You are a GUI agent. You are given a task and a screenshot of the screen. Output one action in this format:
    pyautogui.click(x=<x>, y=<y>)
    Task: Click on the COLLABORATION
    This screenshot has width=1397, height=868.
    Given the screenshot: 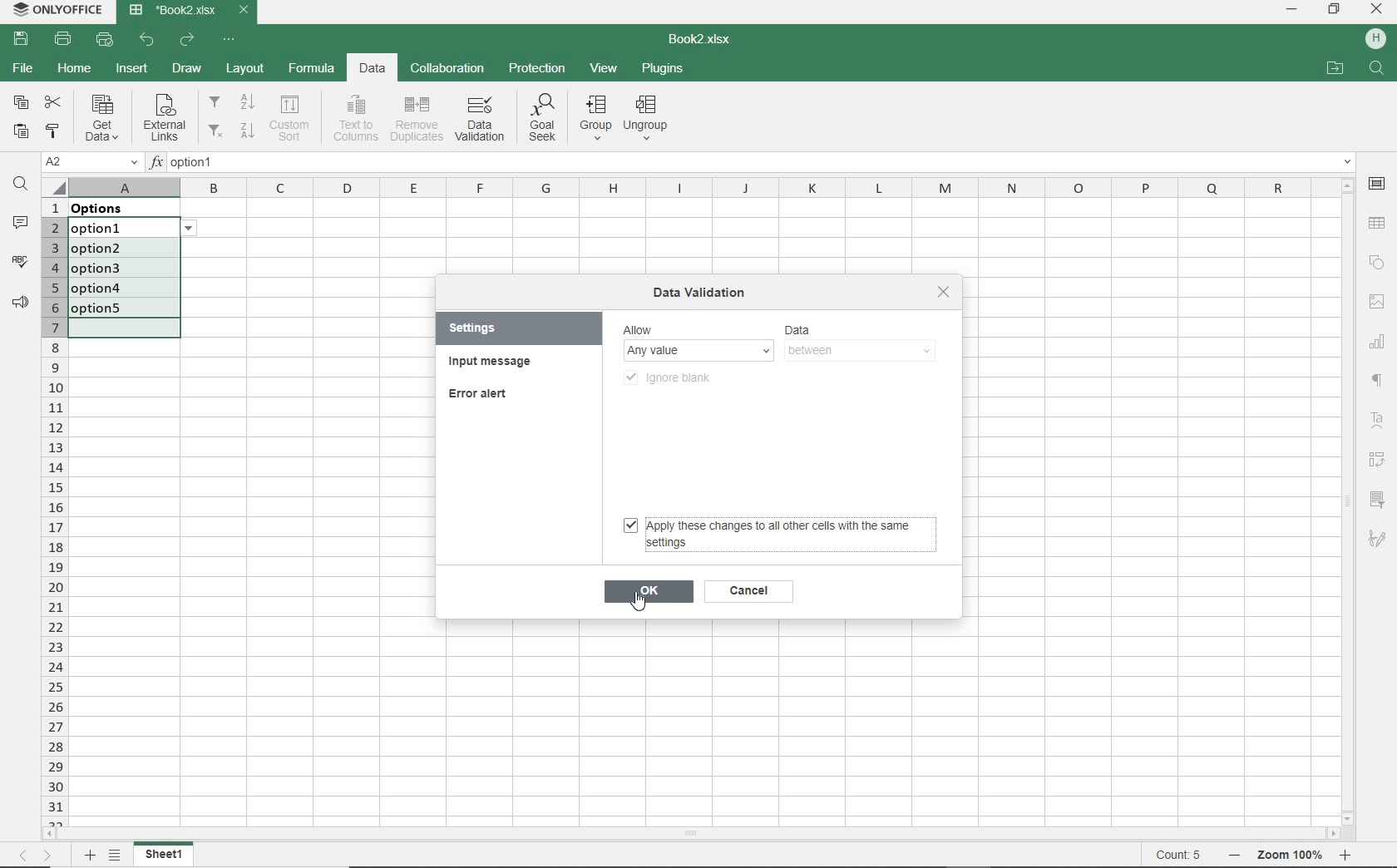 What is the action you would take?
    pyautogui.click(x=448, y=67)
    